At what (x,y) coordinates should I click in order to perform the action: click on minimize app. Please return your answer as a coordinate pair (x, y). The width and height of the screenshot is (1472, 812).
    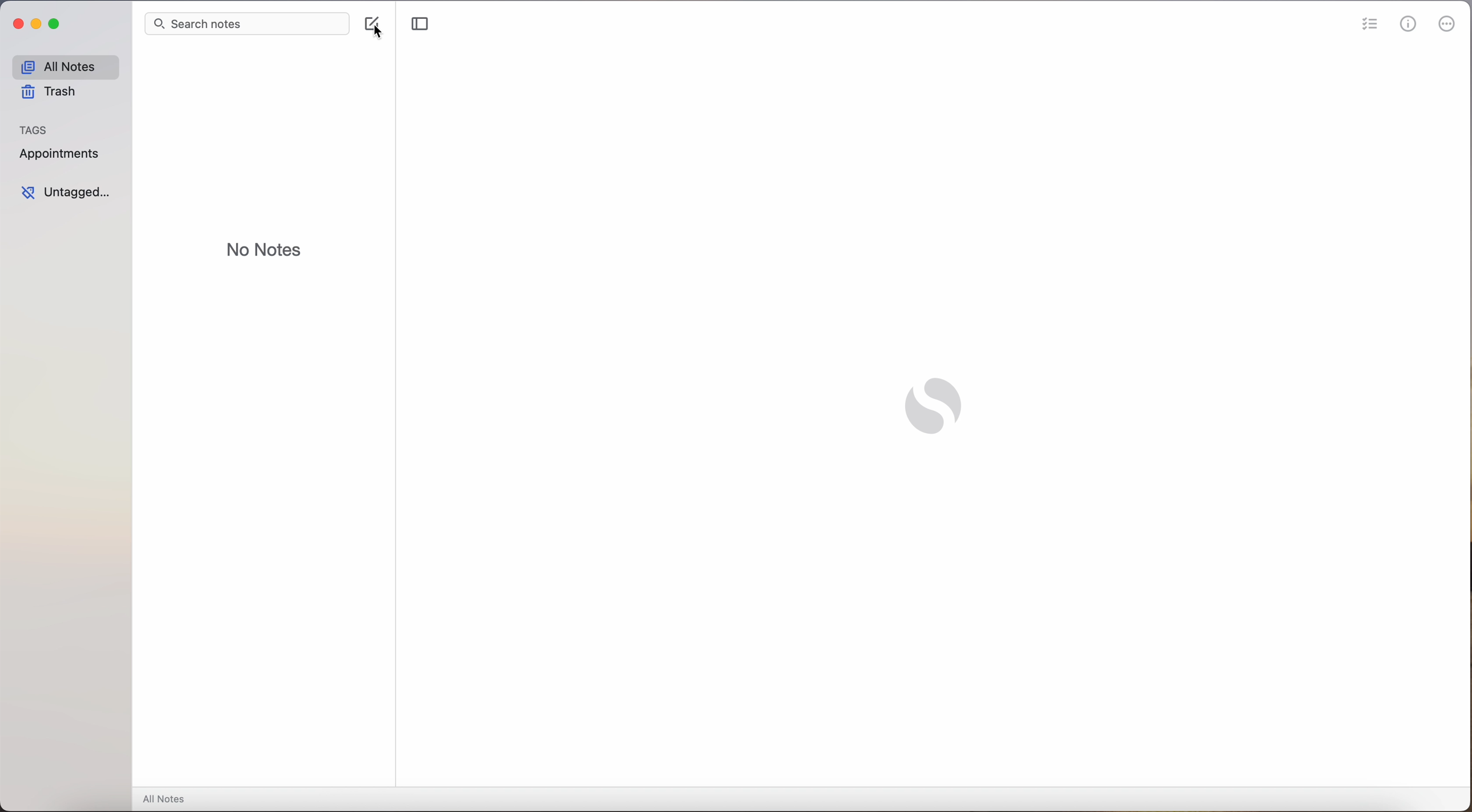
    Looking at the image, I should click on (39, 26).